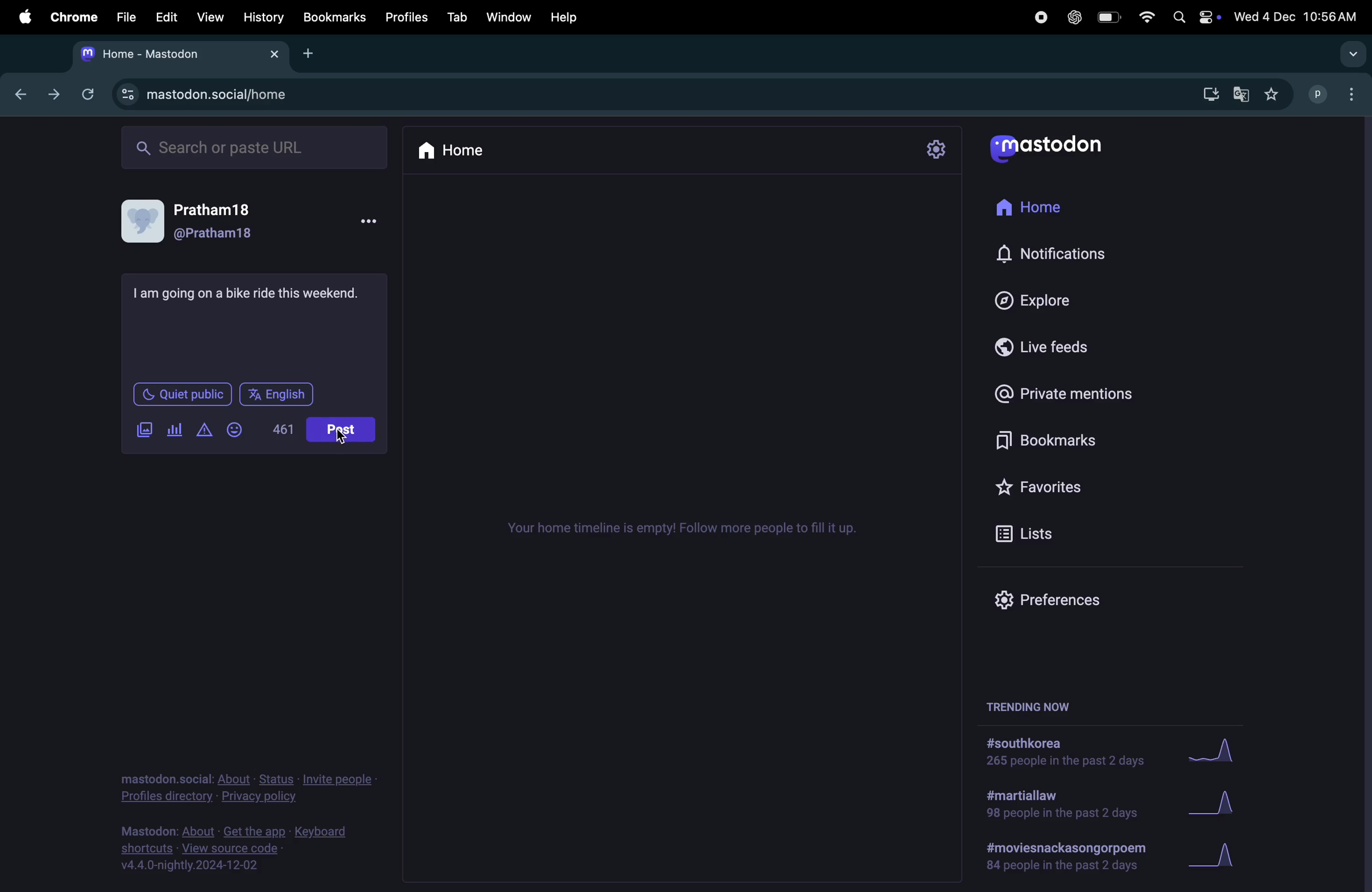 This screenshot has width=1372, height=892. What do you see at coordinates (258, 788) in the screenshot?
I see `Privacy and policy` at bounding box center [258, 788].